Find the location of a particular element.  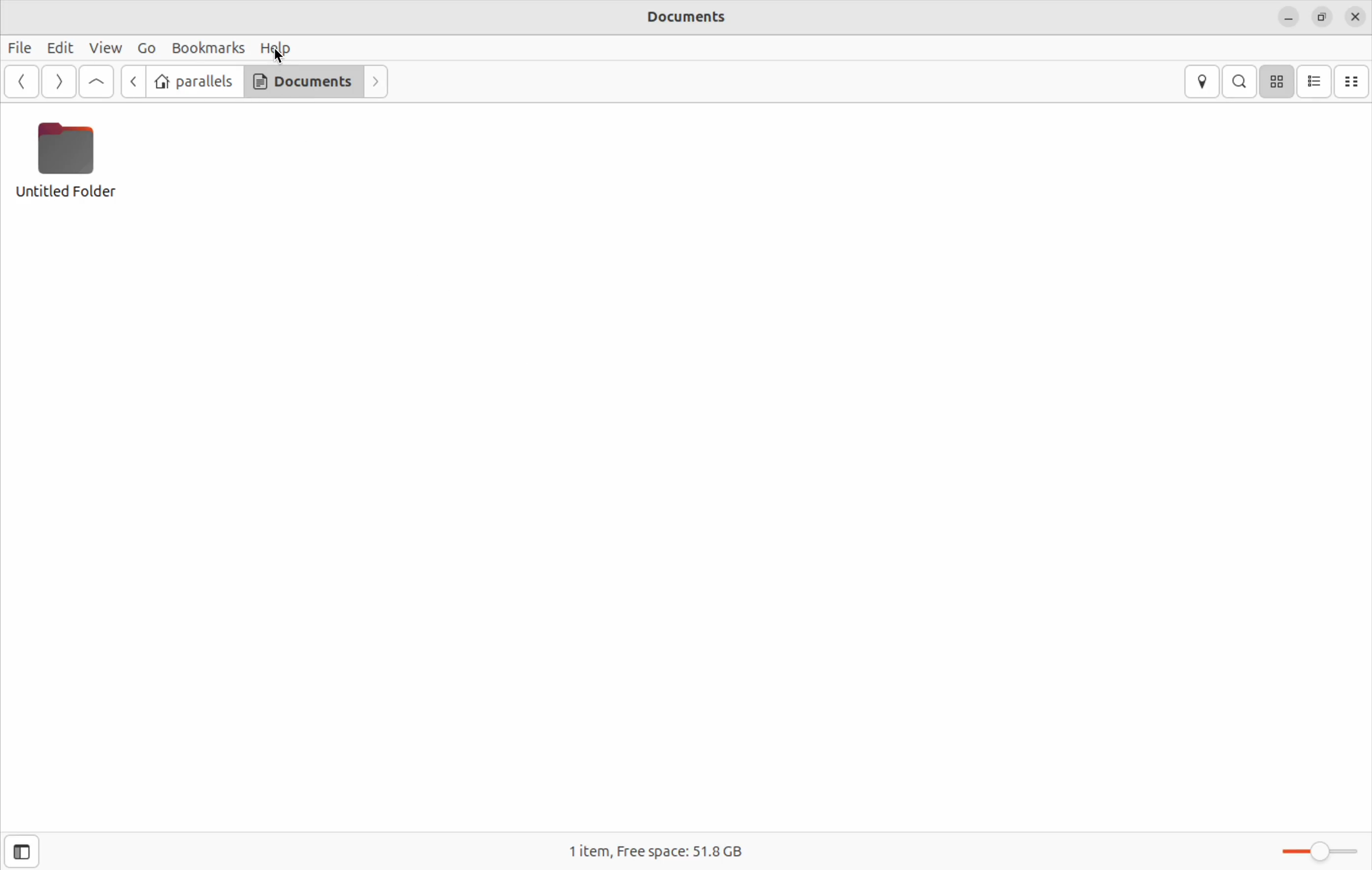

Go back is located at coordinates (22, 81).